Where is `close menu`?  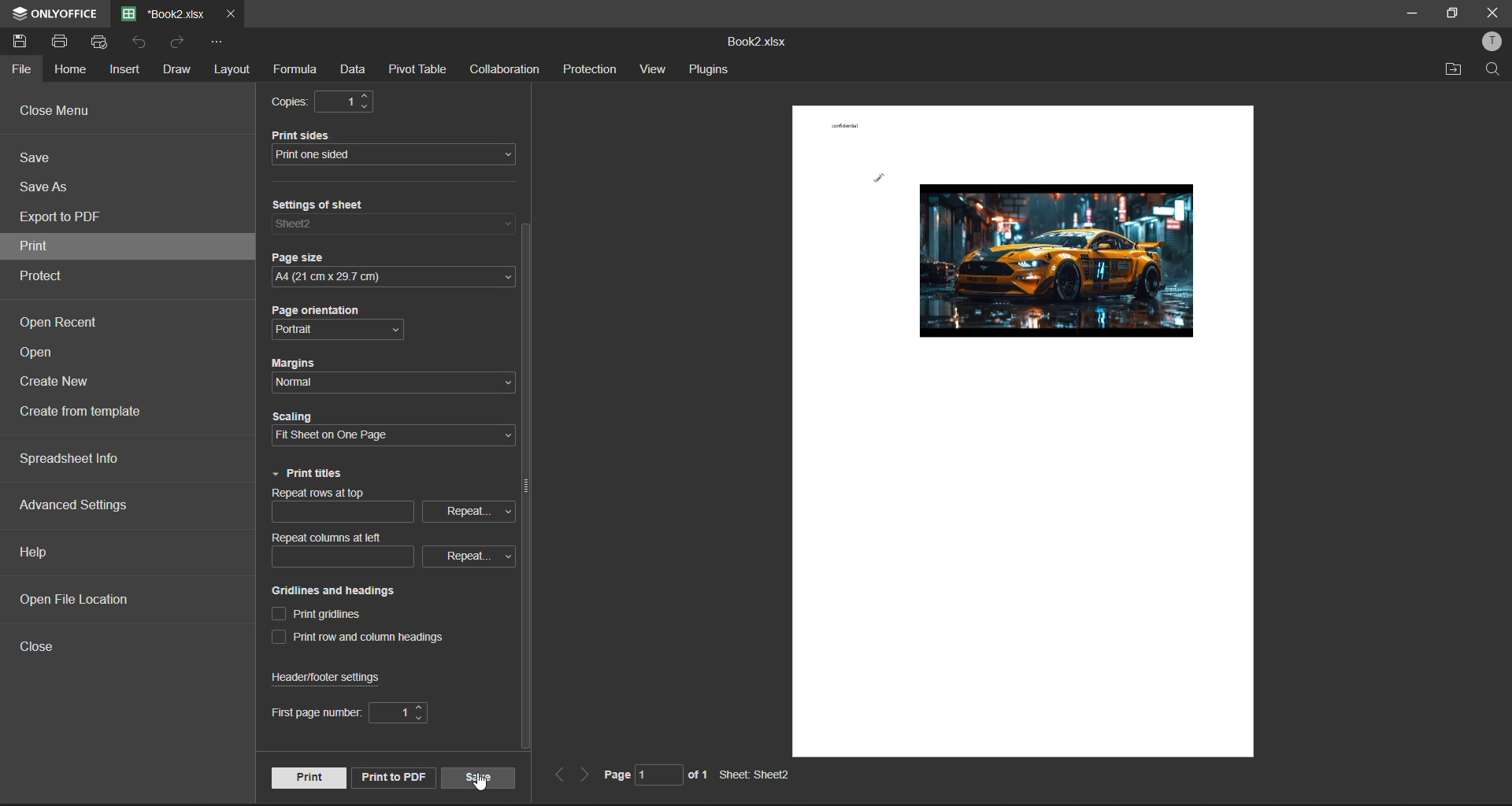
close menu is located at coordinates (57, 110).